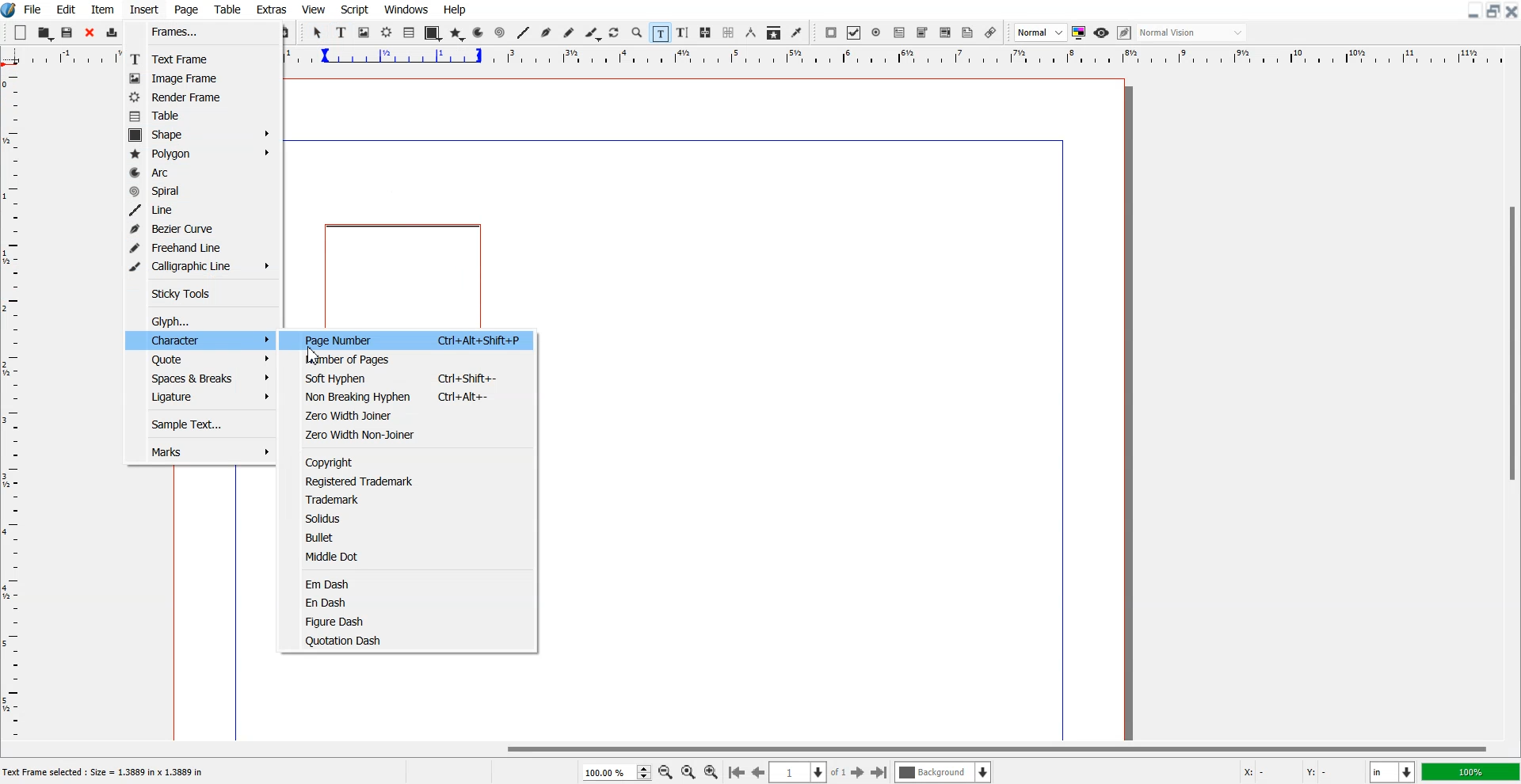  I want to click on Unlink text Frame, so click(729, 33).